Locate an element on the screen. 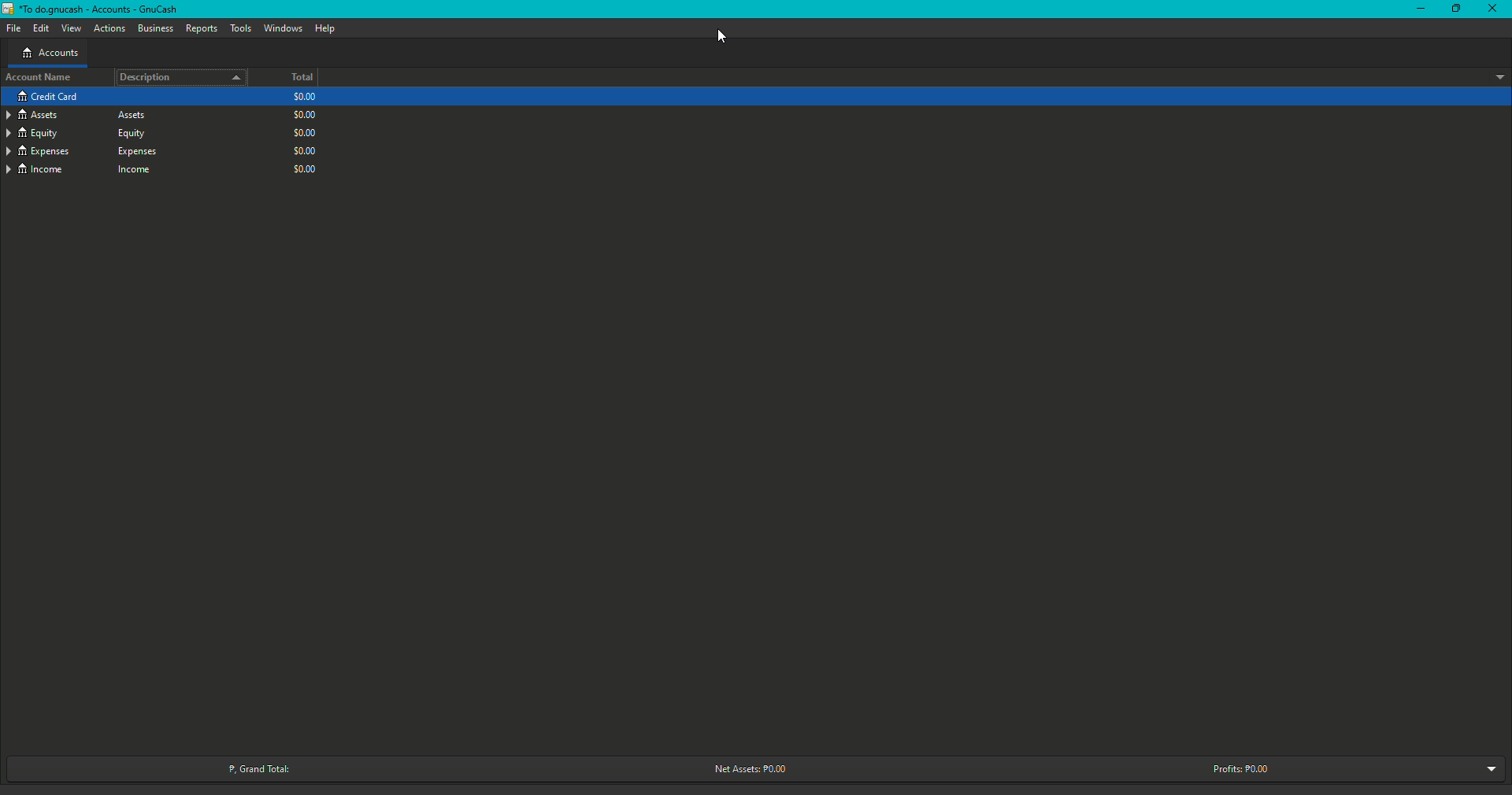 Image resolution: width=1512 pixels, height=795 pixels. $0 is located at coordinates (298, 135).